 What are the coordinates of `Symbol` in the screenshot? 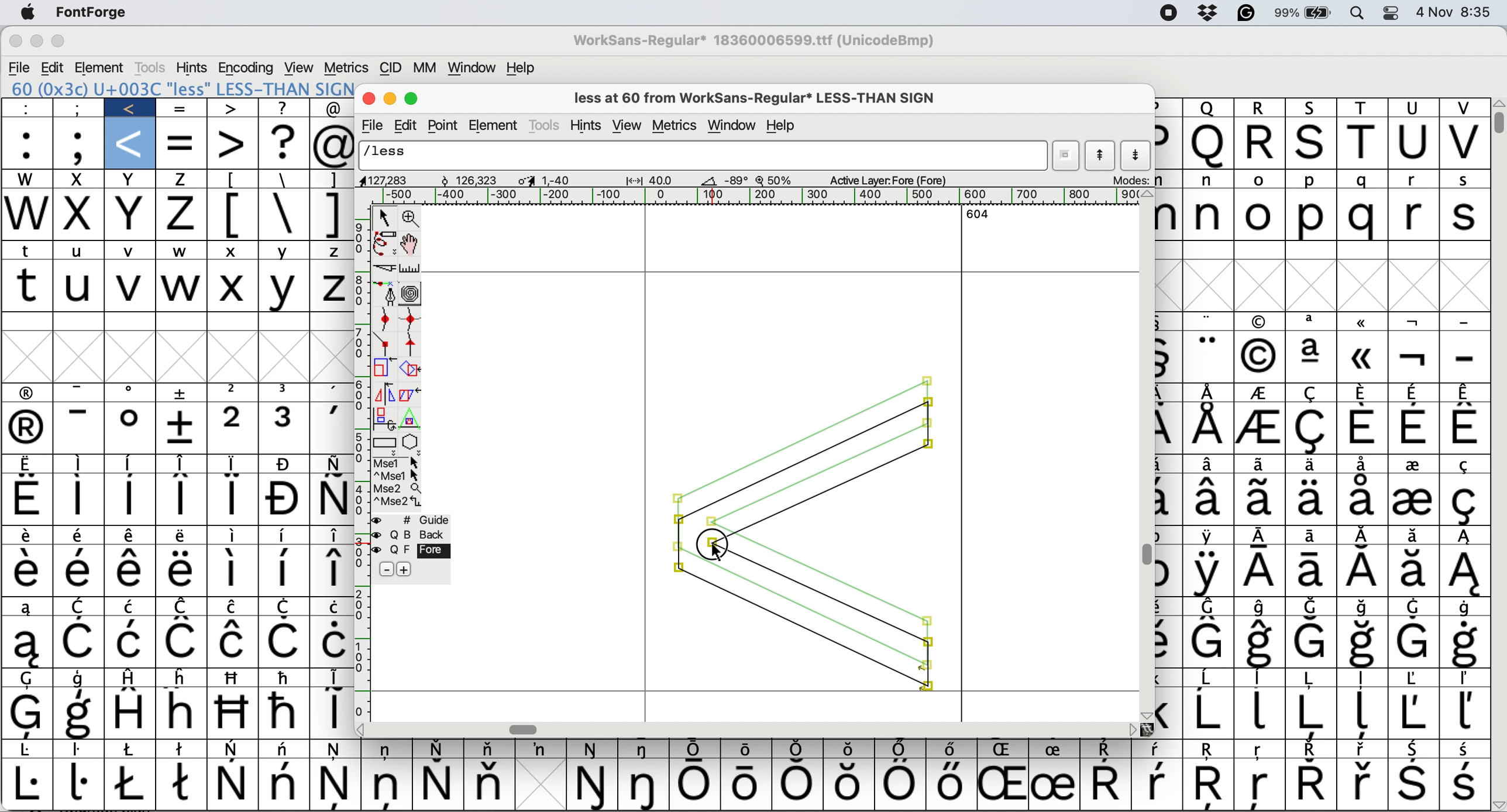 It's located at (330, 391).